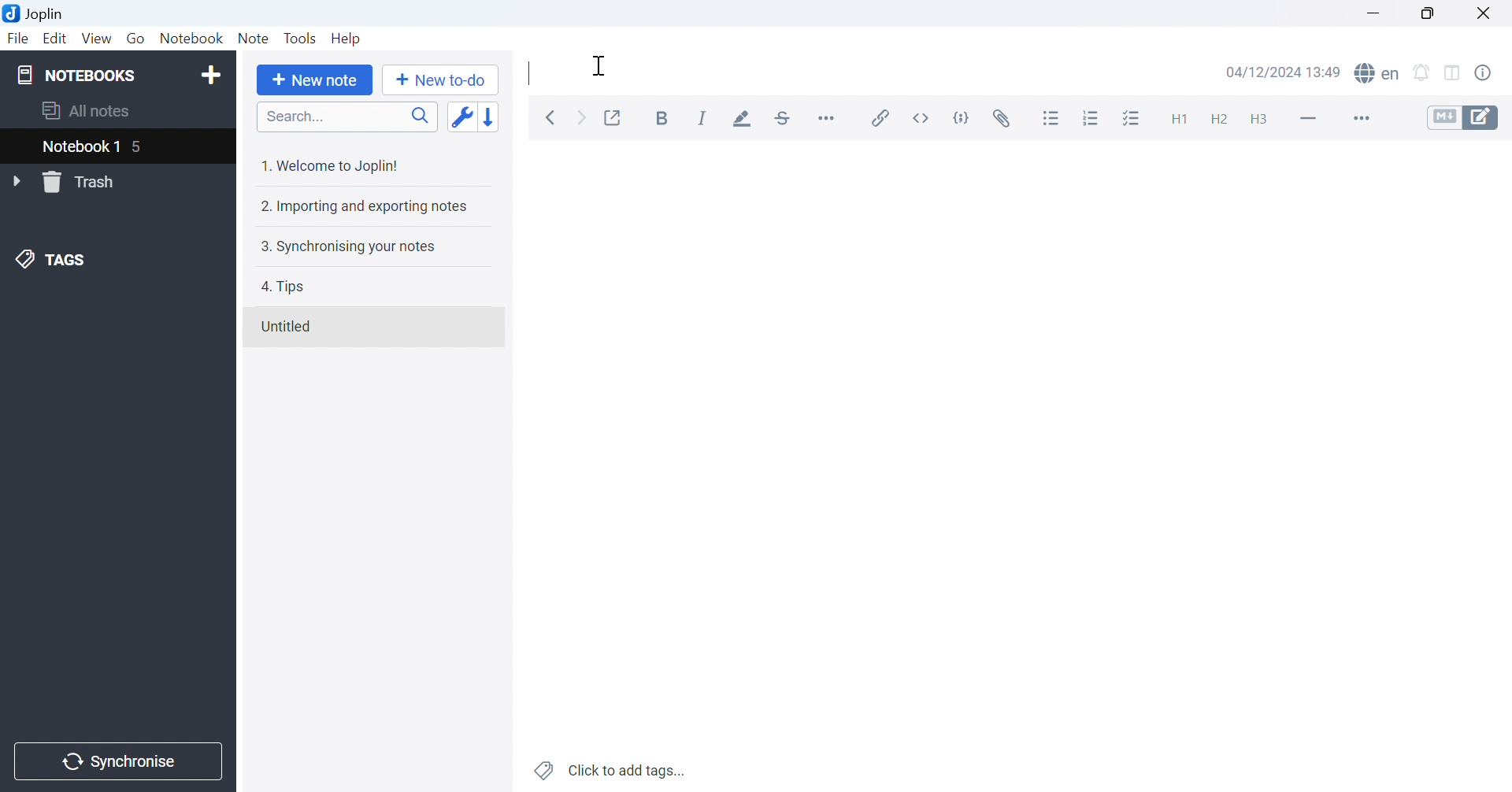 This screenshot has height=792, width=1512. Describe the element at coordinates (1004, 116) in the screenshot. I see `Attach file` at that location.